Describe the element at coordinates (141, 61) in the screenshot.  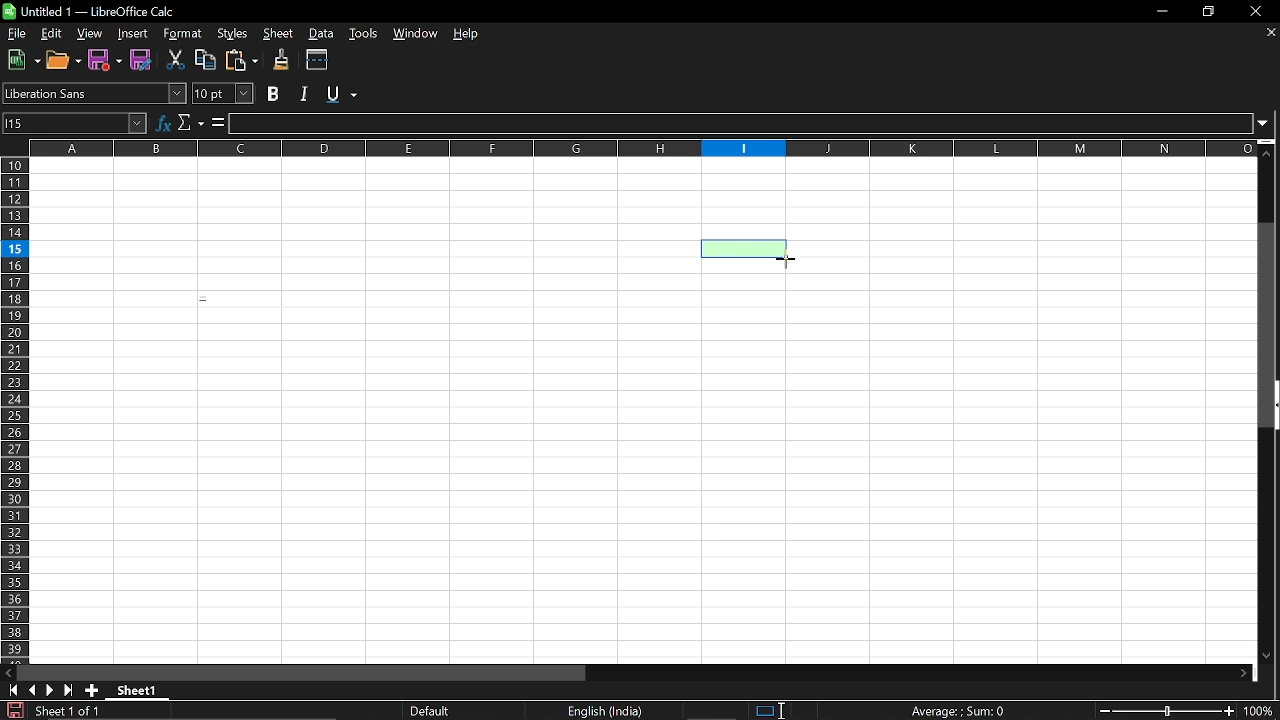
I see `Save` at that location.